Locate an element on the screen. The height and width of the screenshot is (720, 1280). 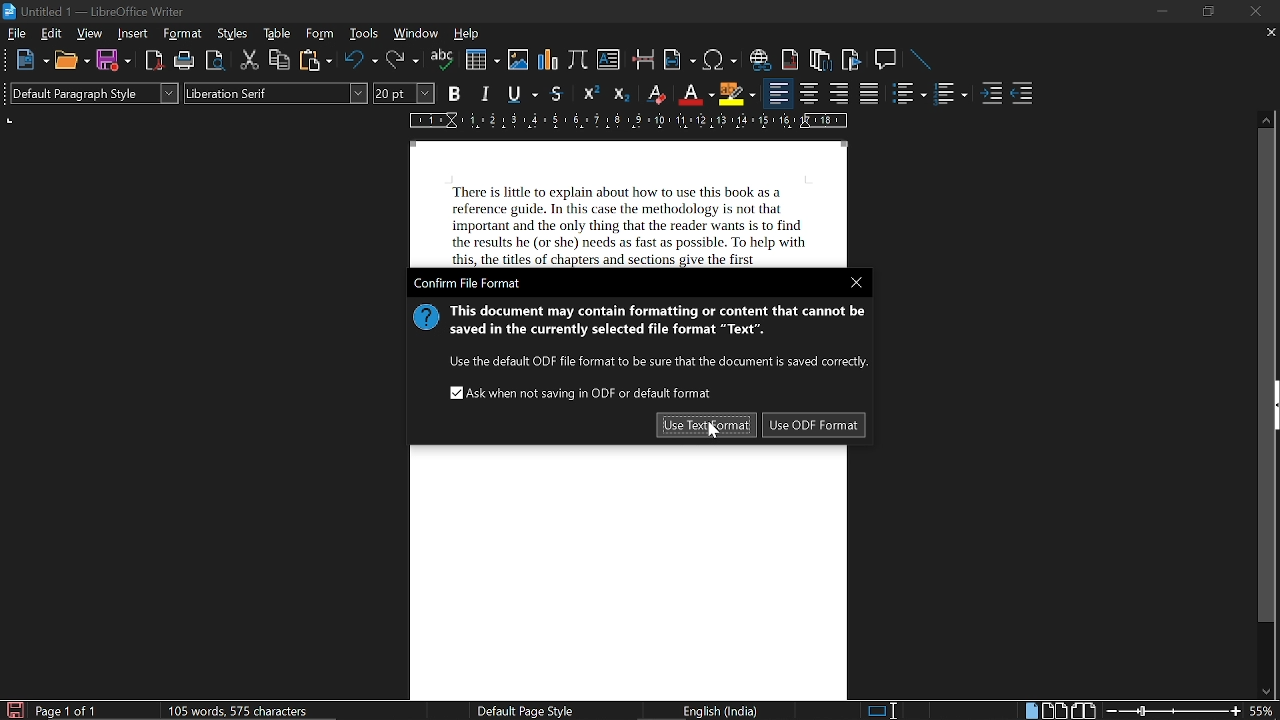
font size is located at coordinates (404, 93).